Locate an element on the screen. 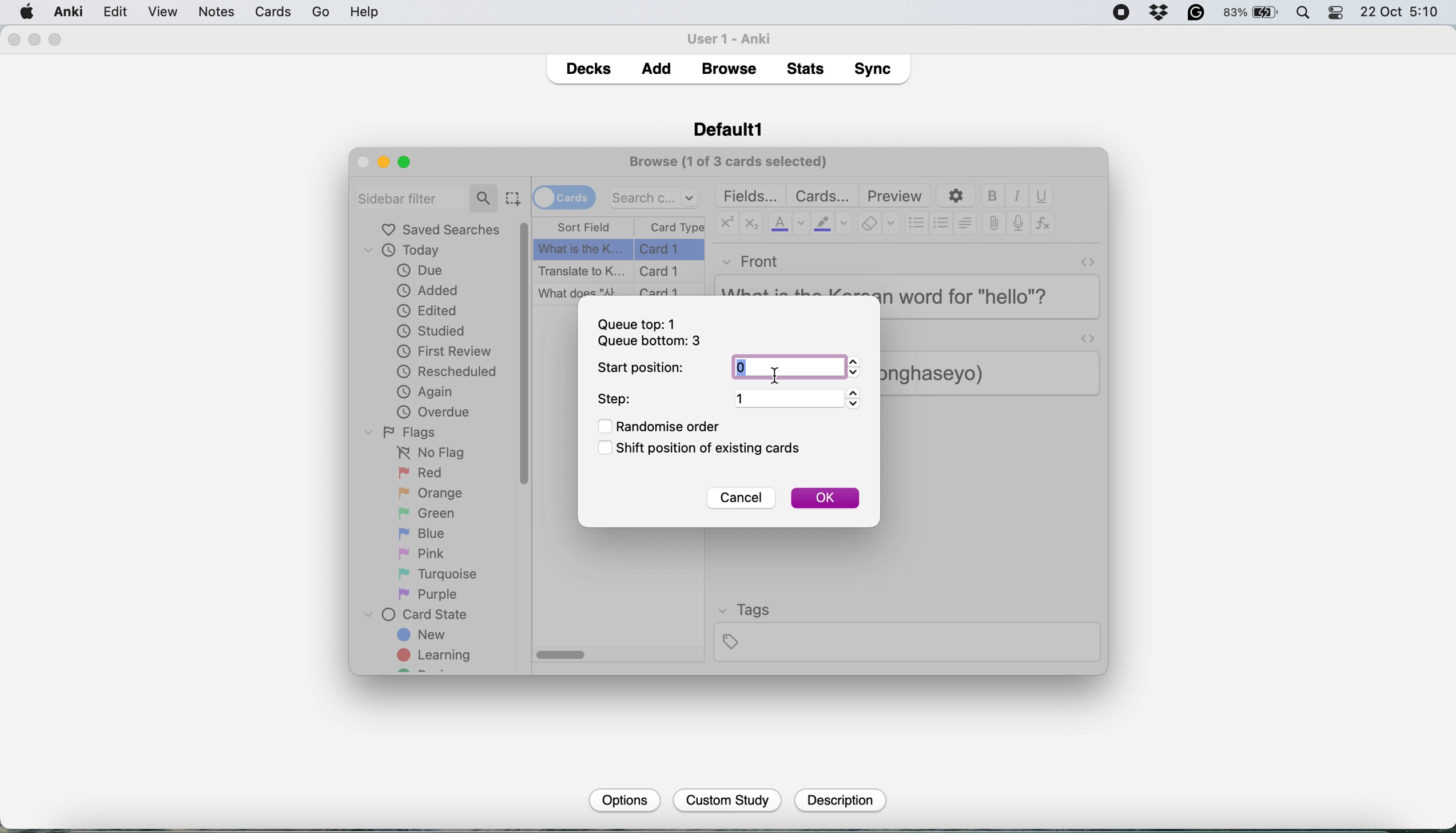  anki is located at coordinates (70, 11).